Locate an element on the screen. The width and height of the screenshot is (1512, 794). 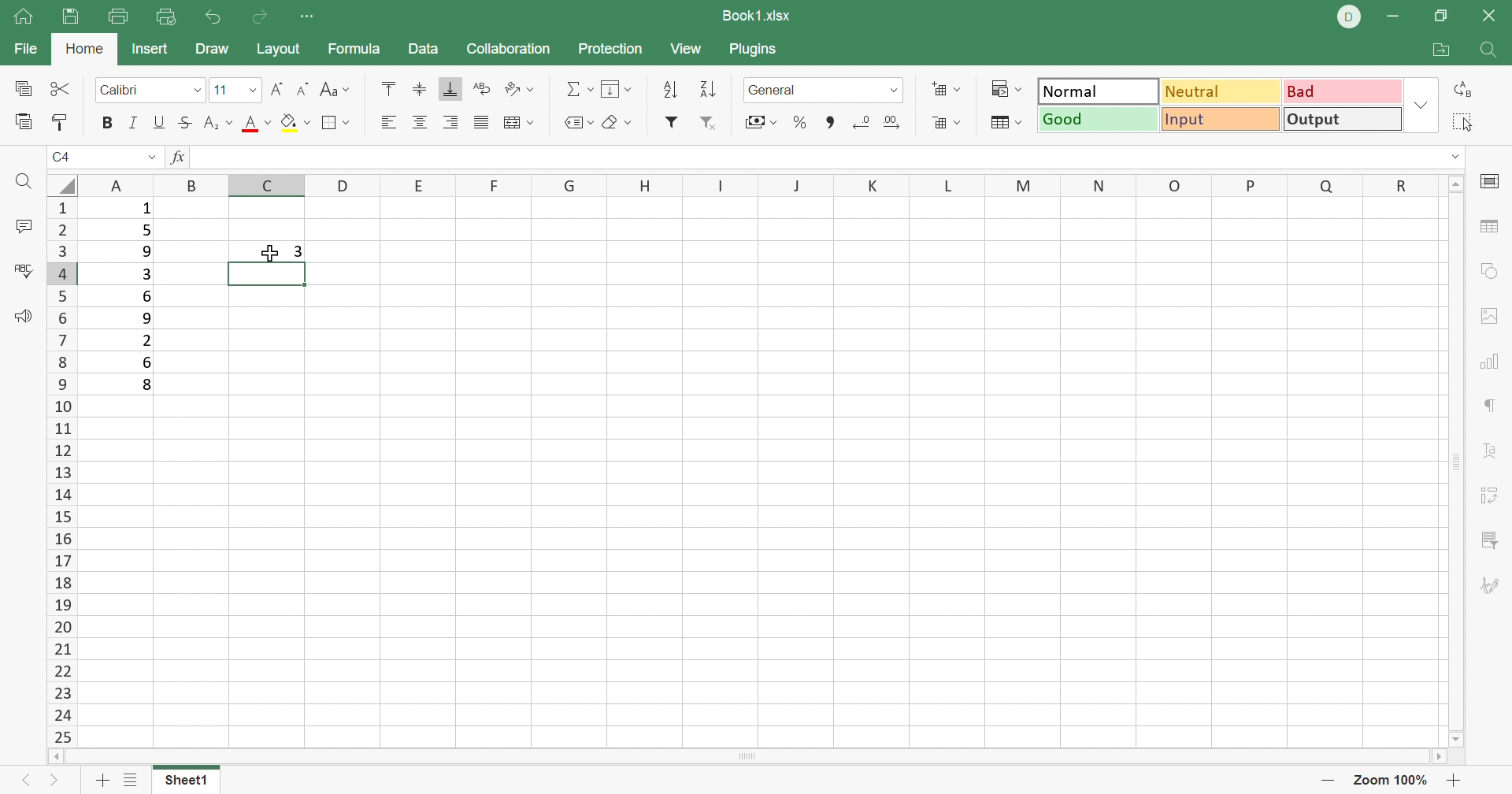
6 is located at coordinates (150, 364).